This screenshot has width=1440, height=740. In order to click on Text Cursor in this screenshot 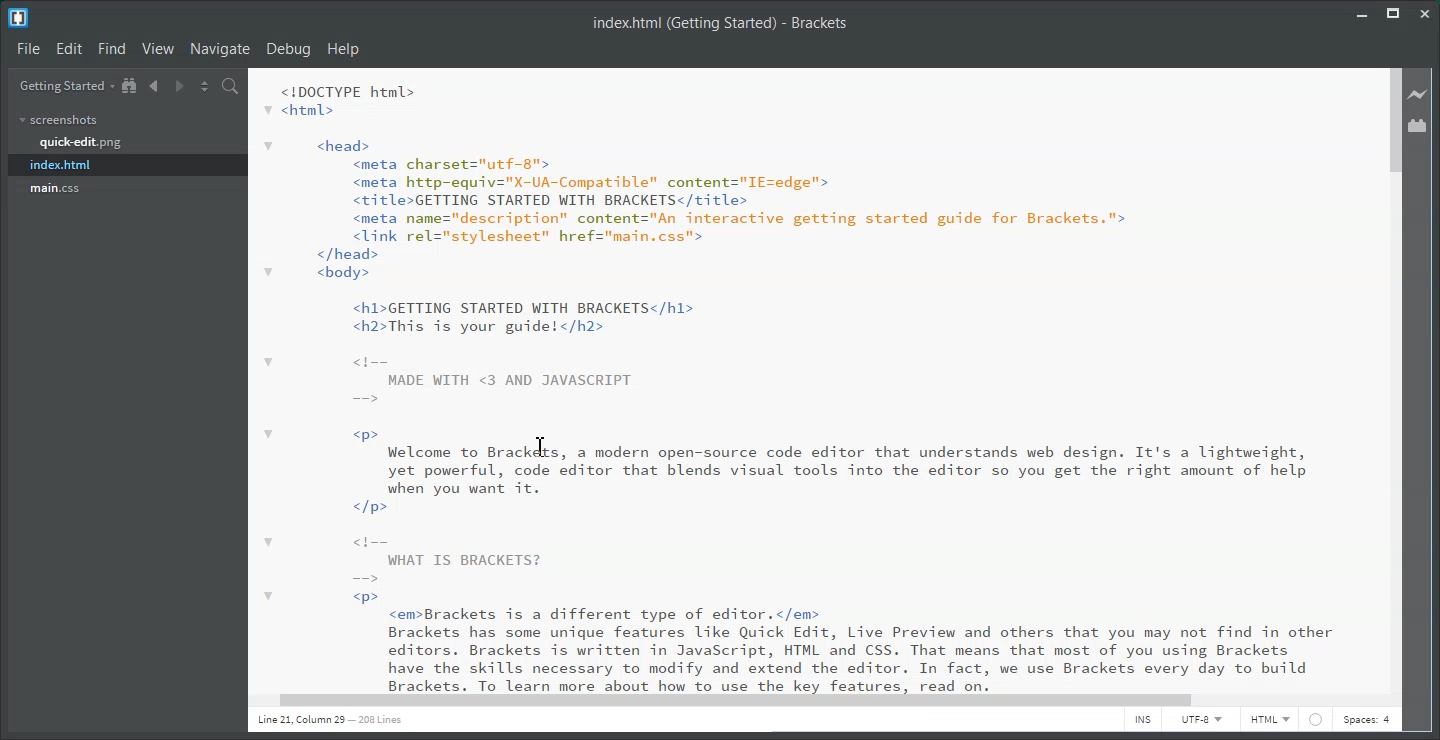, I will do `click(542, 445)`.